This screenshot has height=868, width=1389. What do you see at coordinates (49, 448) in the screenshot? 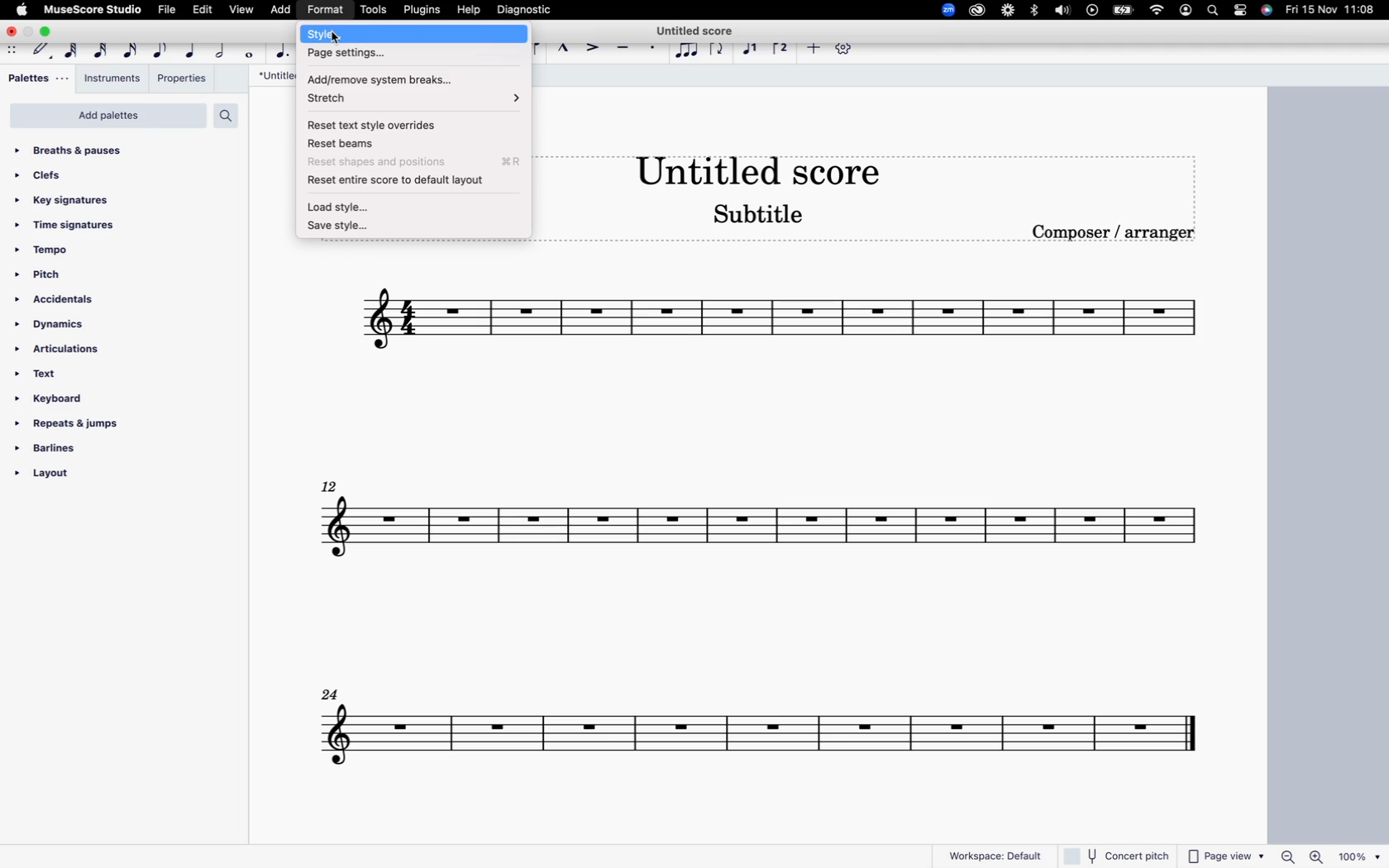
I see `barlines` at bounding box center [49, 448].